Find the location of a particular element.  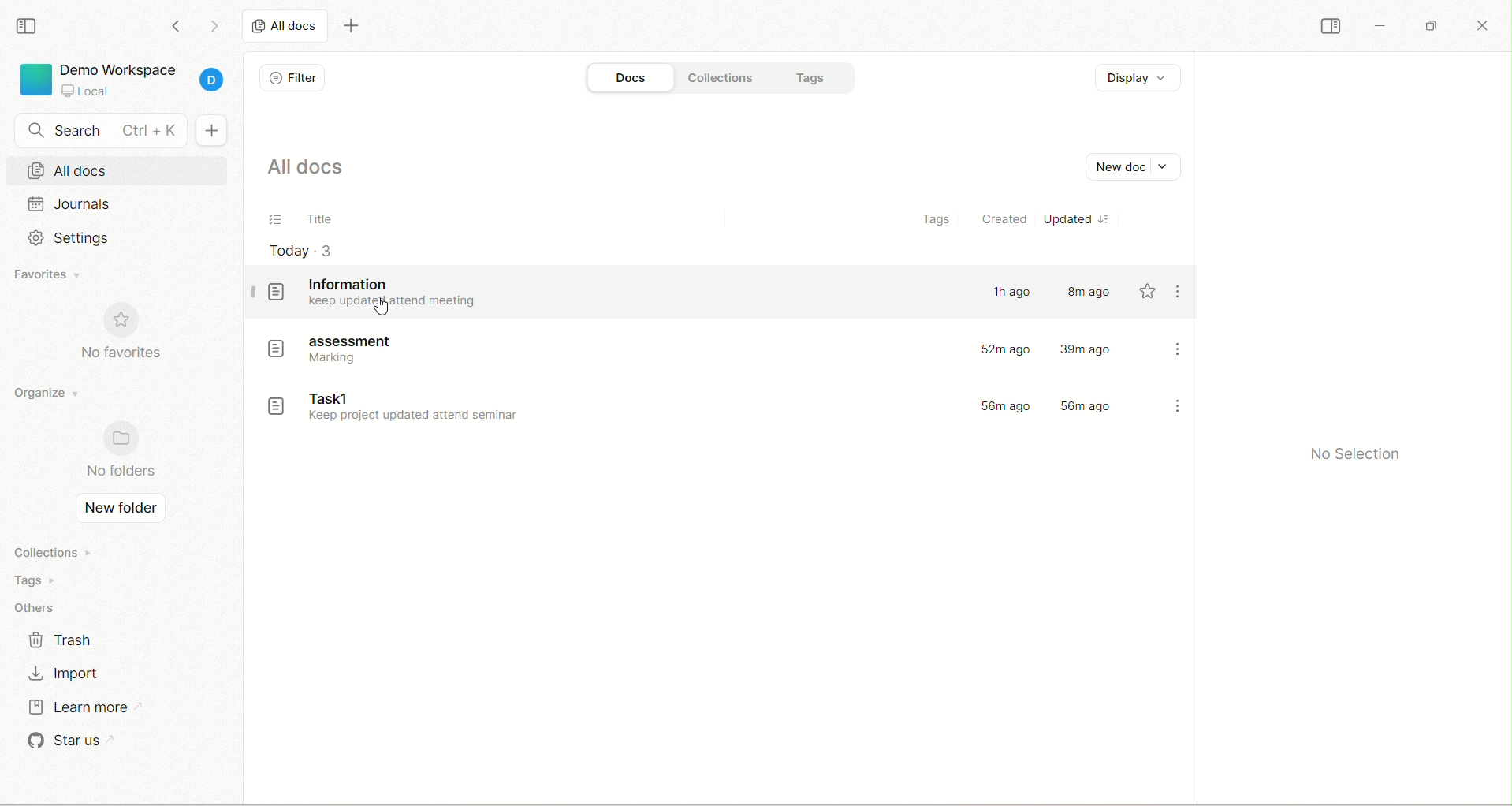

collapse sidebar is located at coordinates (27, 27).